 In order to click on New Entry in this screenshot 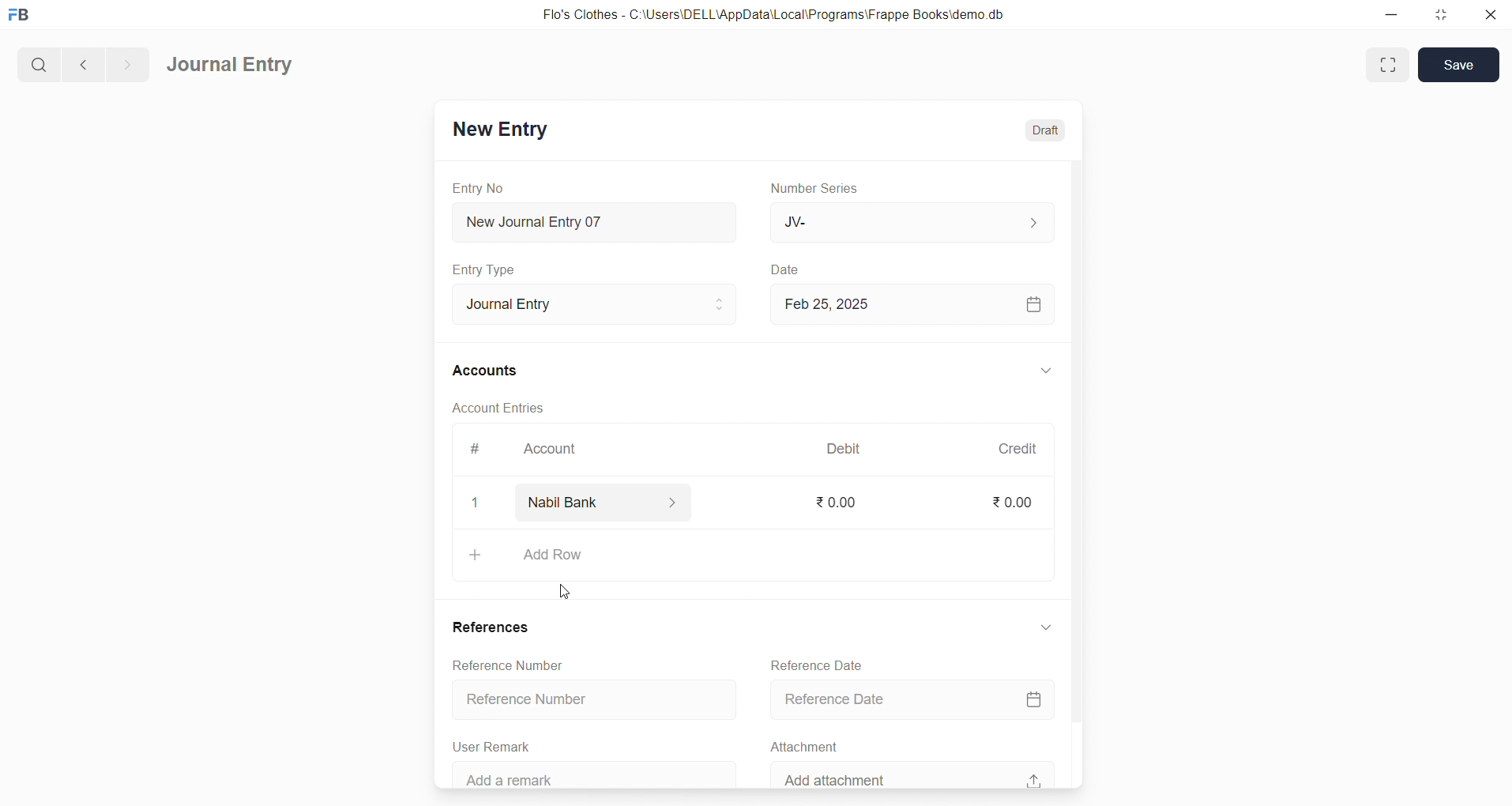, I will do `click(499, 129)`.